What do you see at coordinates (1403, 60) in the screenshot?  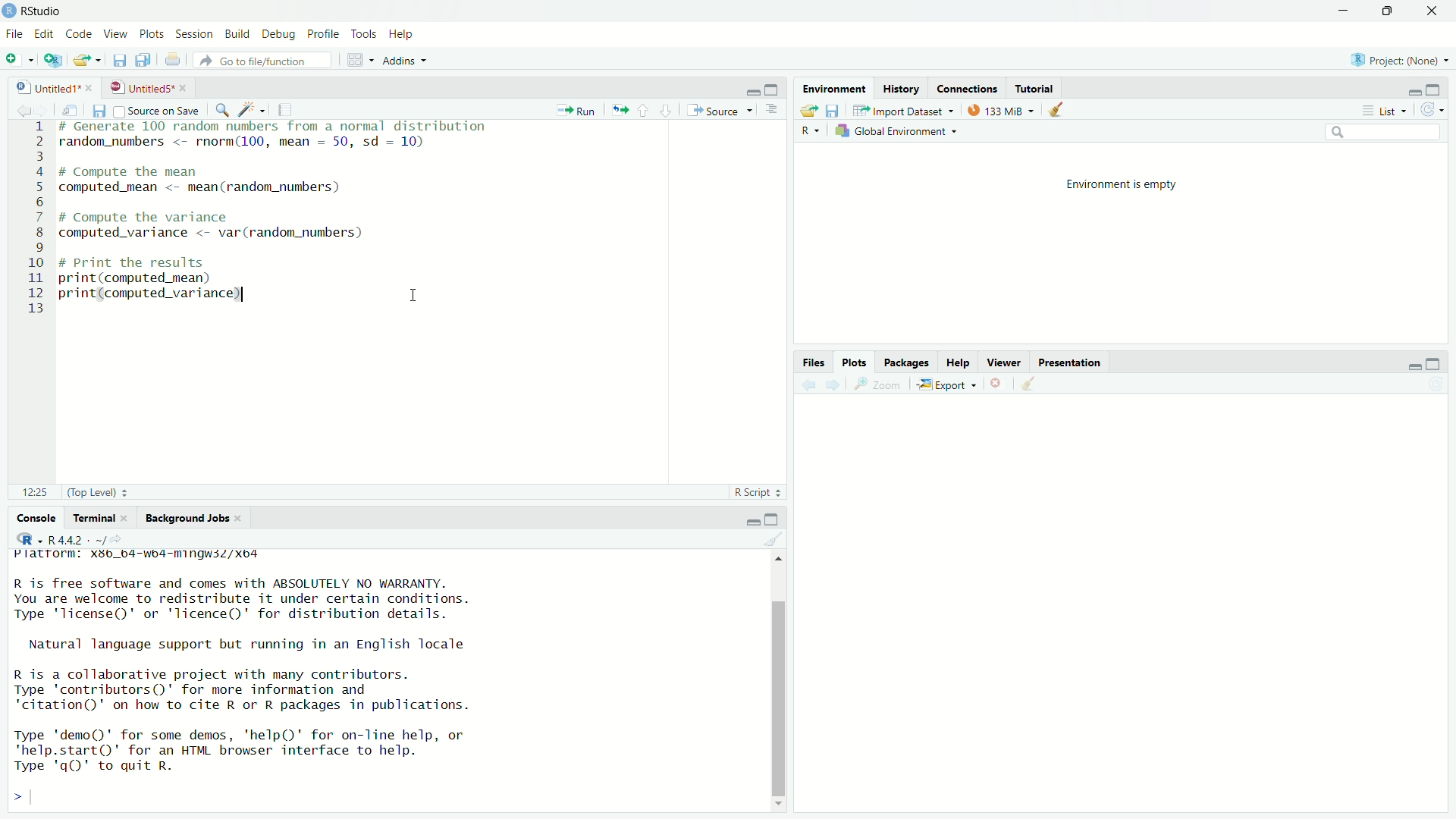 I see `project: (none)` at bounding box center [1403, 60].